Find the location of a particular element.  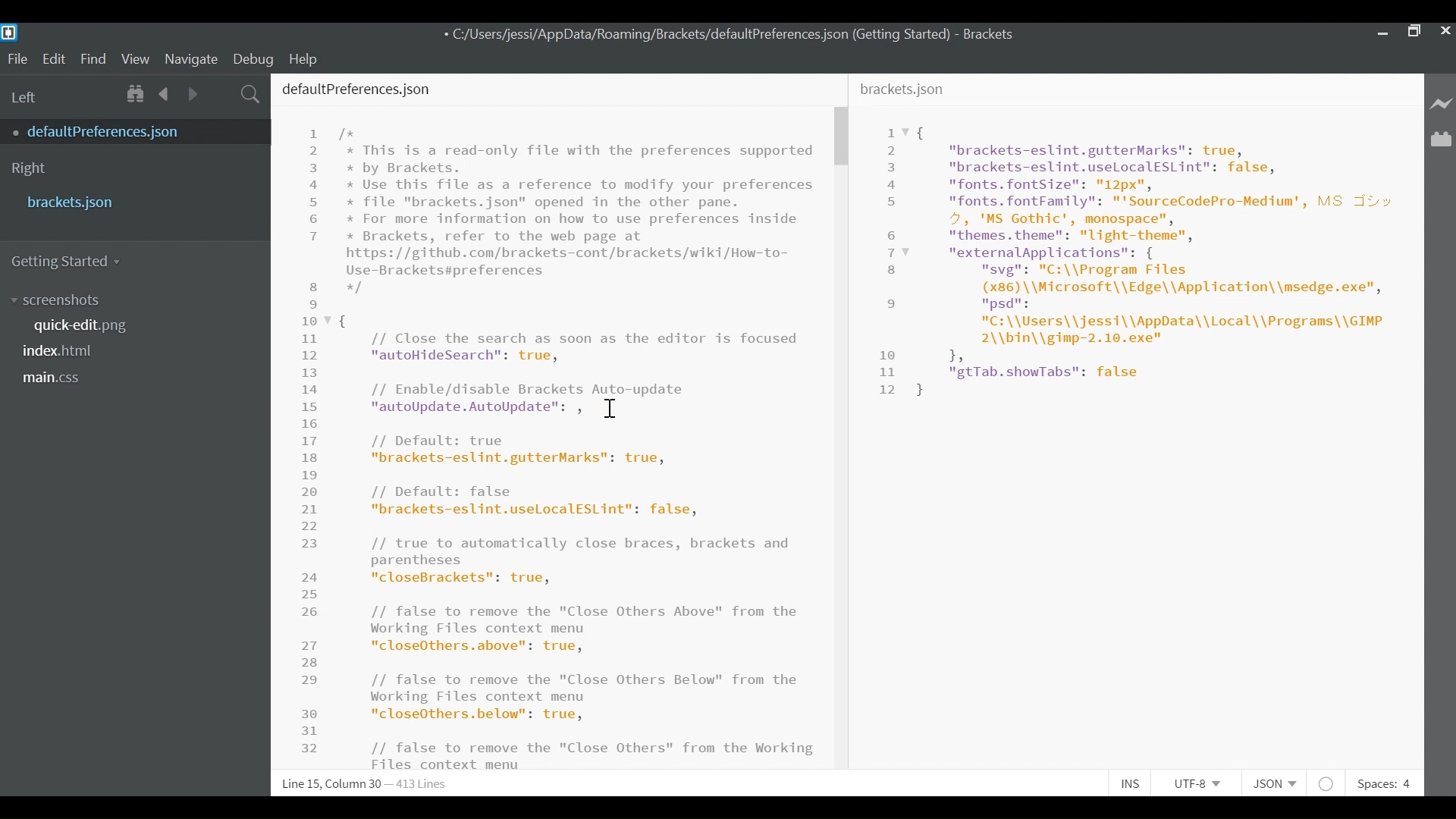

defaultPreferences.json is located at coordinates (124, 131).